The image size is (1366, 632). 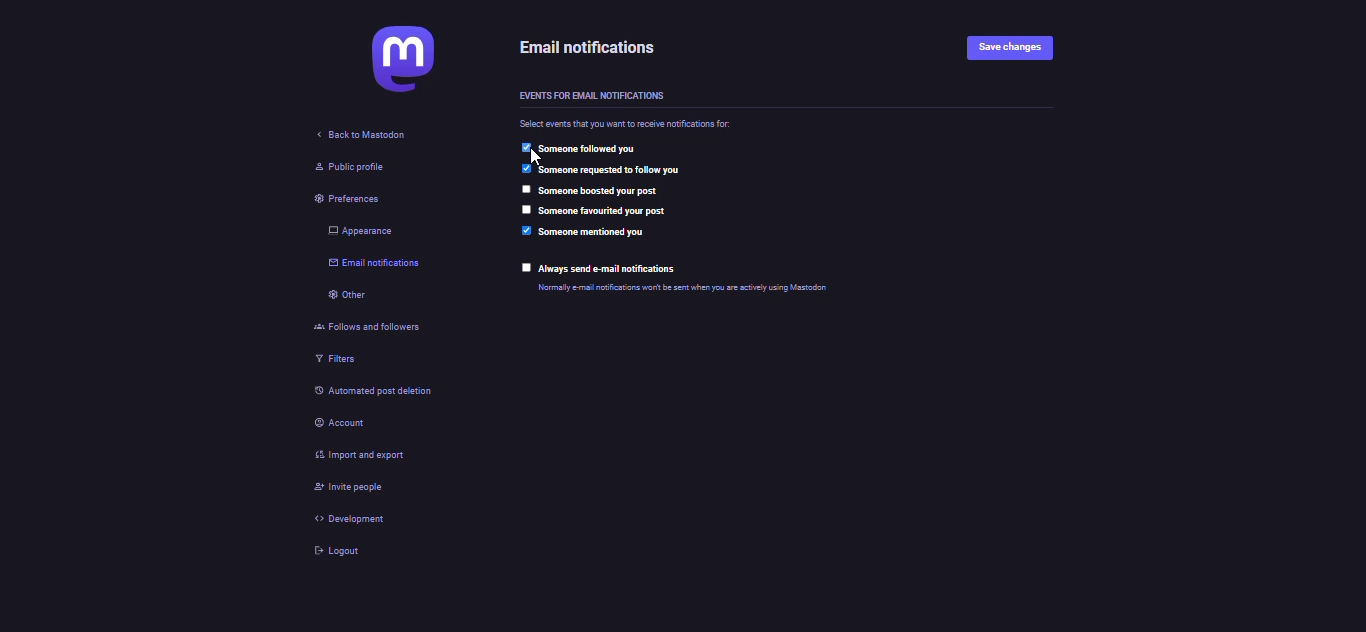 What do you see at coordinates (383, 393) in the screenshot?
I see `automated post deletion` at bounding box center [383, 393].